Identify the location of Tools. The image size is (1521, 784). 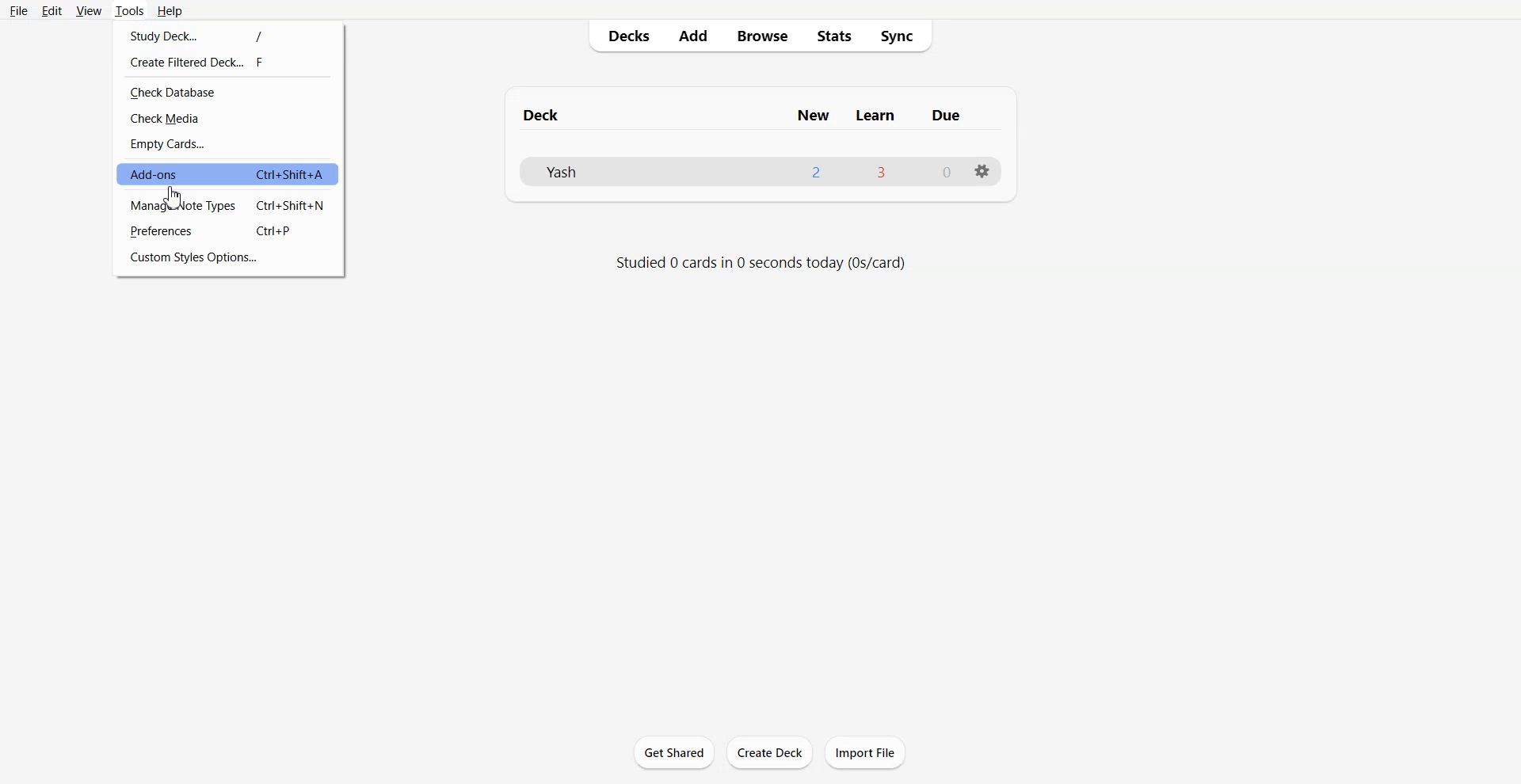
(128, 11).